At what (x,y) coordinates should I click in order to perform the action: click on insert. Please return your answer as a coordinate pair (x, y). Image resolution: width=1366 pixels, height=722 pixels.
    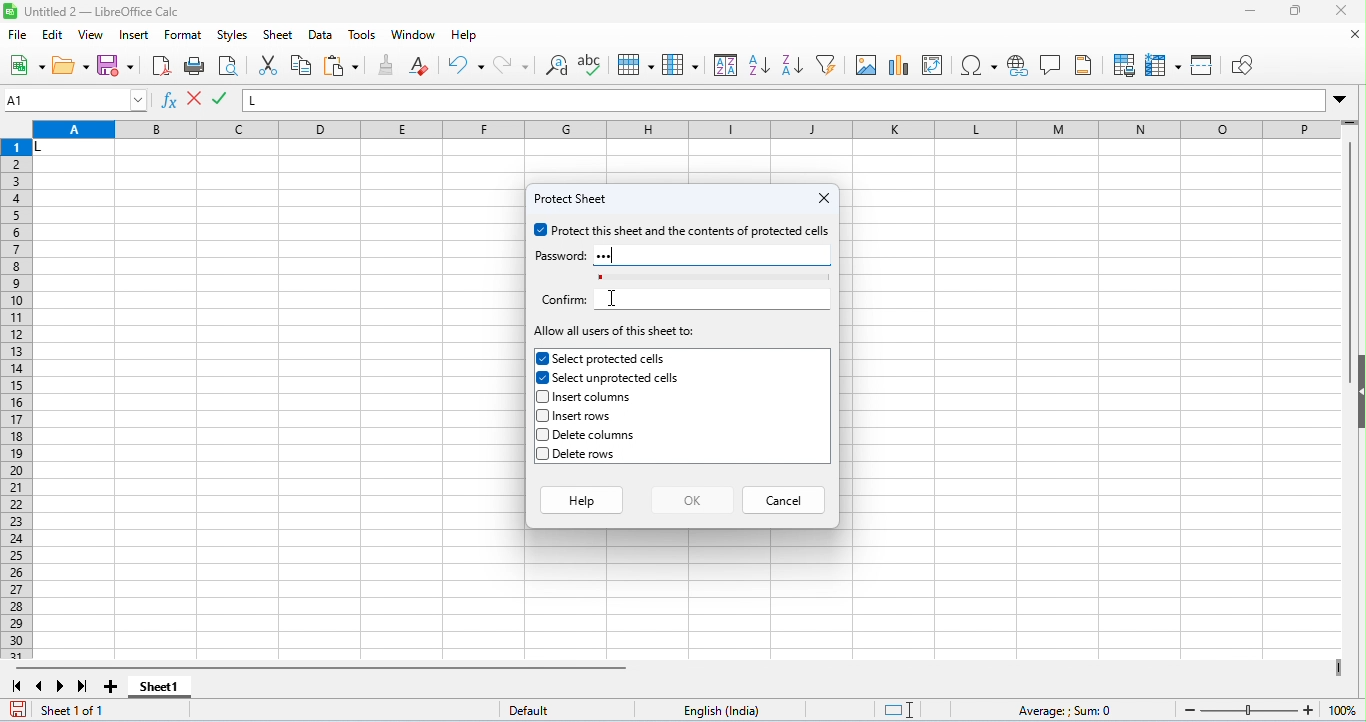
    Looking at the image, I should click on (136, 36).